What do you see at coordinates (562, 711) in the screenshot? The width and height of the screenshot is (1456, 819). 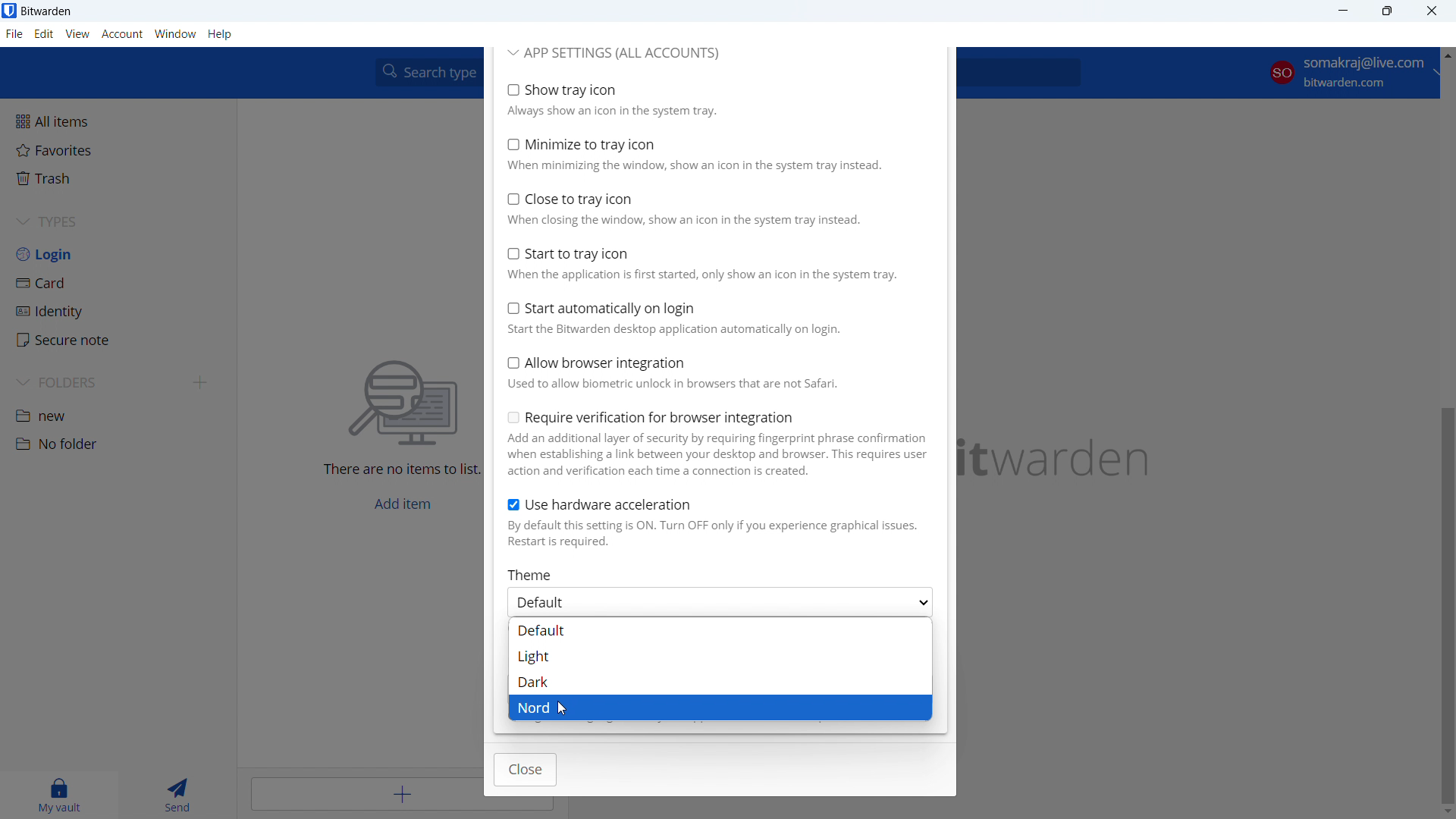 I see `cursor` at bounding box center [562, 711].